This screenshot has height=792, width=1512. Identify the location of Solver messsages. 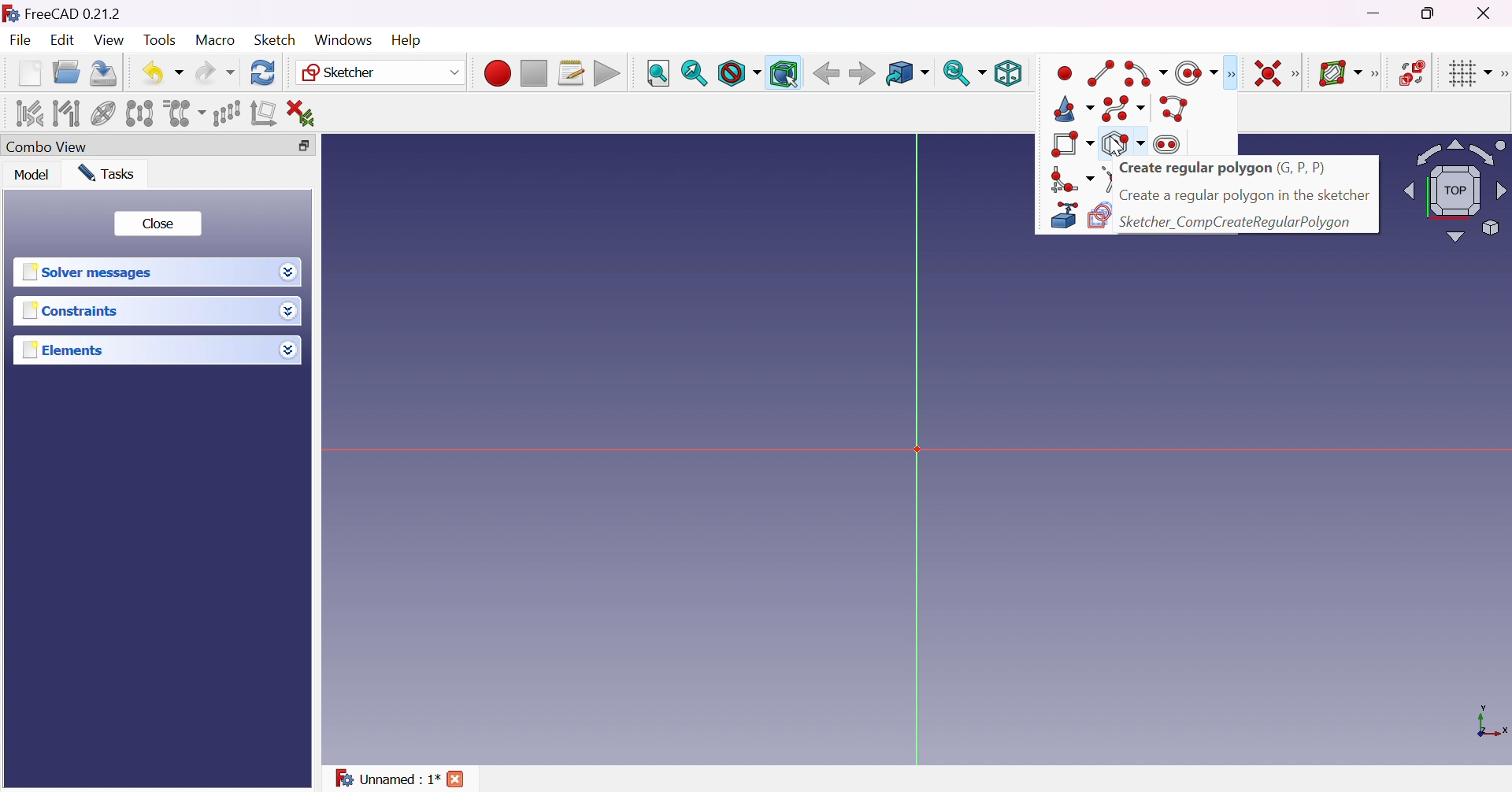
(91, 272).